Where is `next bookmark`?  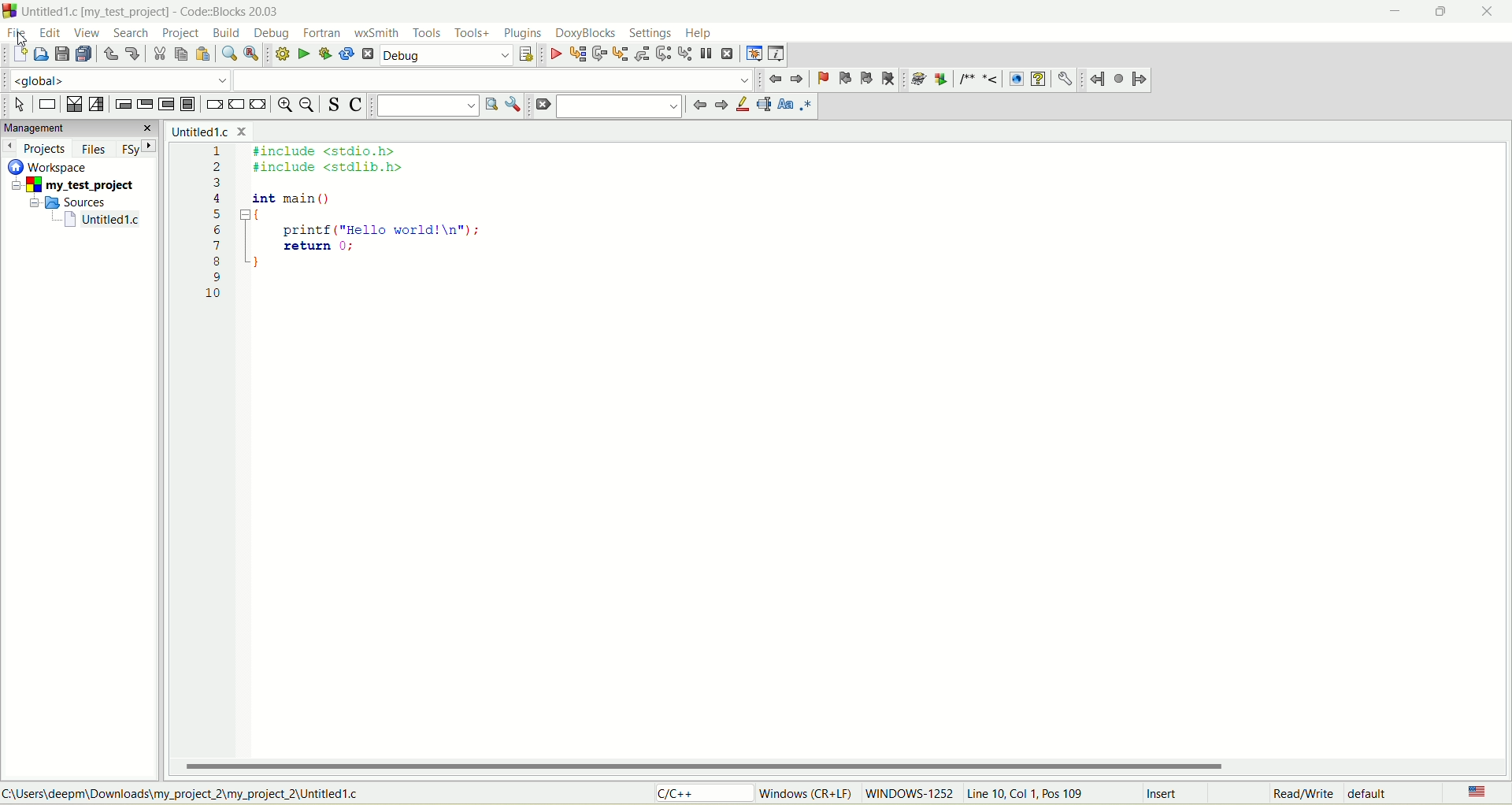 next bookmark is located at coordinates (867, 79).